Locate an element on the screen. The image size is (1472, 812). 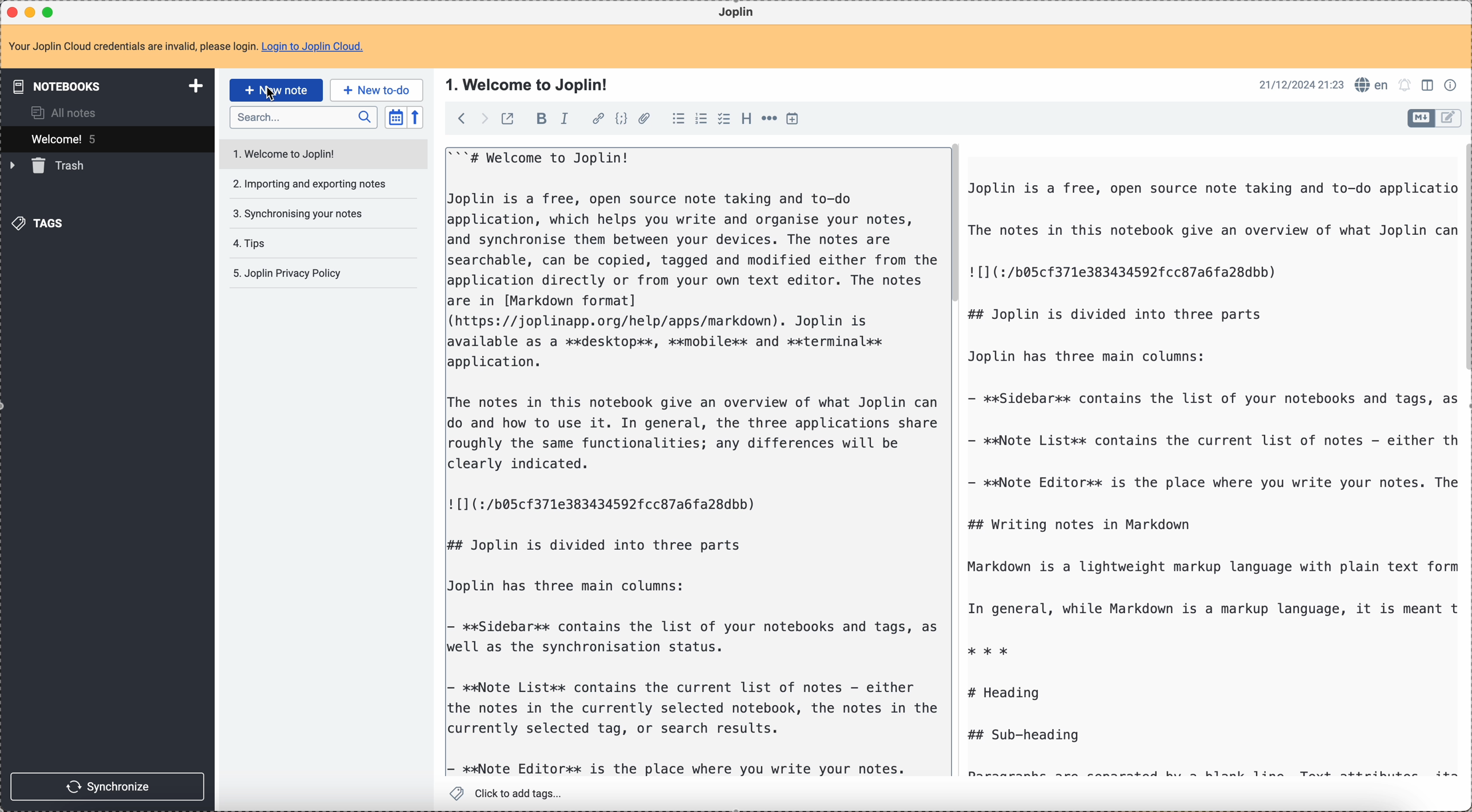
title is located at coordinates (526, 83).